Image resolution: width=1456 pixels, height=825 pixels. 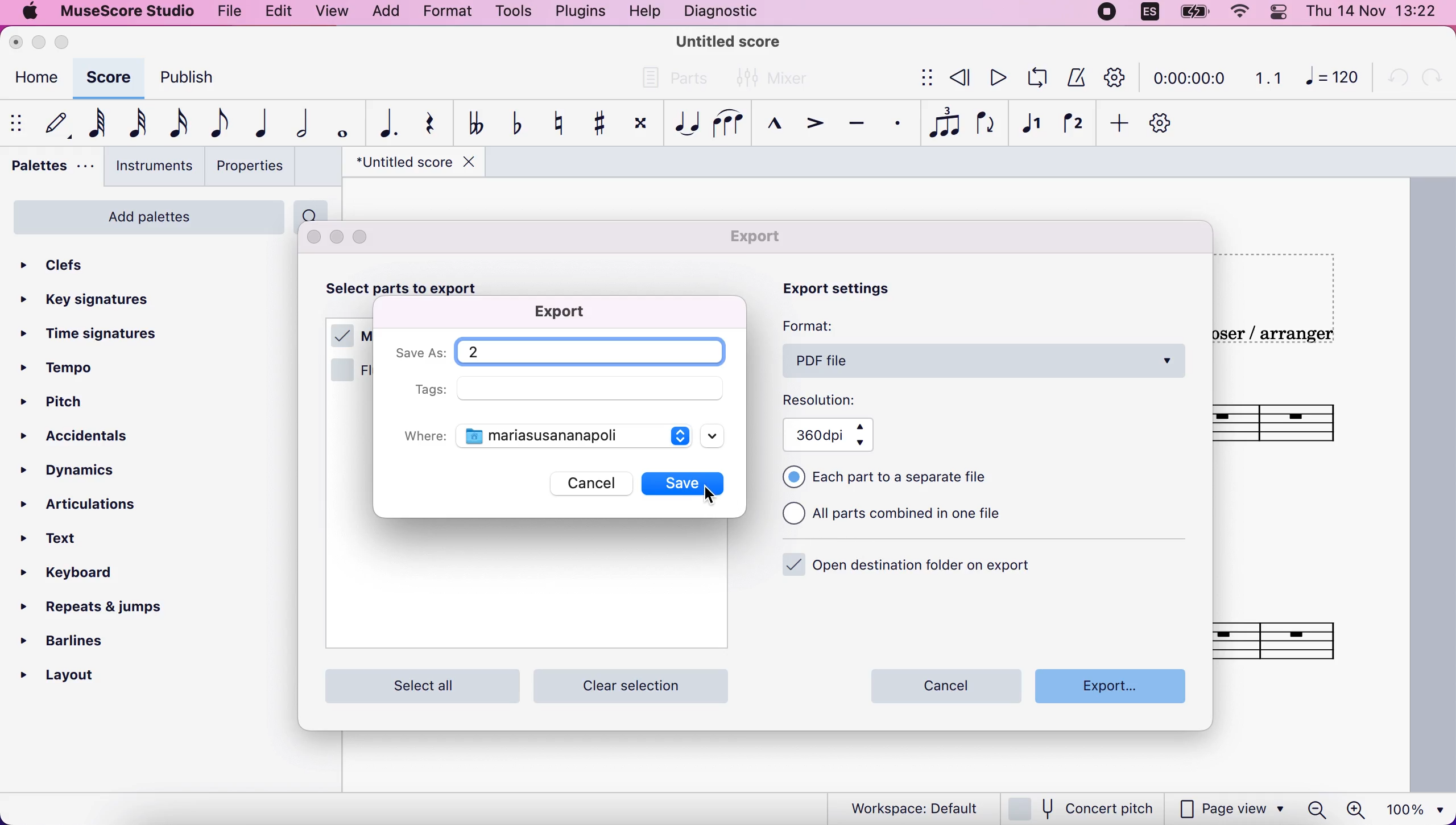 What do you see at coordinates (1031, 122) in the screenshot?
I see `voice 1` at bounding box center [1031, 122].